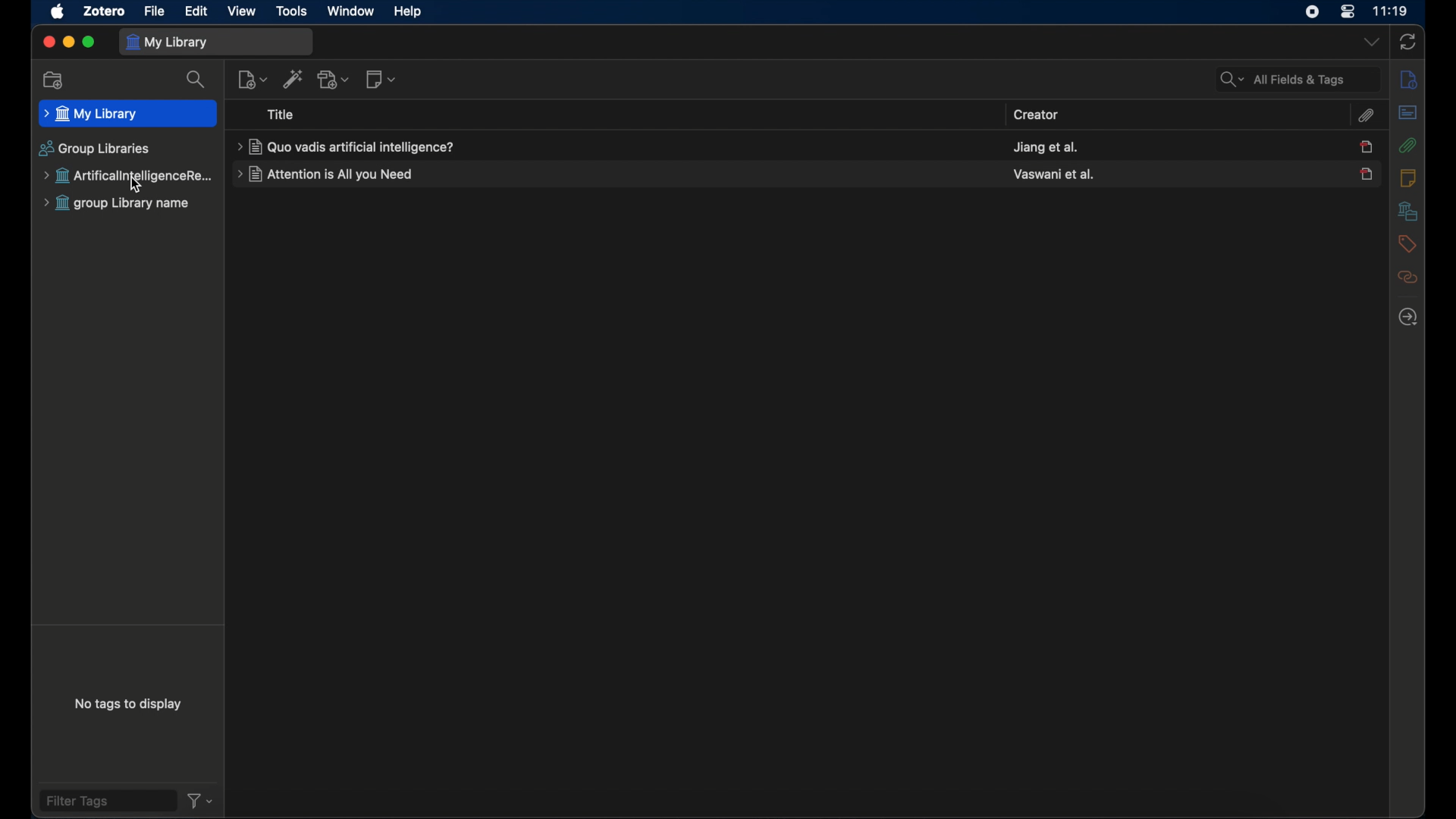 The width and height of the screenshot is (1456, 819). What do you see at coordinates (283, 115) in the screenshot?
I see `title` at bounding box center [283, 115].